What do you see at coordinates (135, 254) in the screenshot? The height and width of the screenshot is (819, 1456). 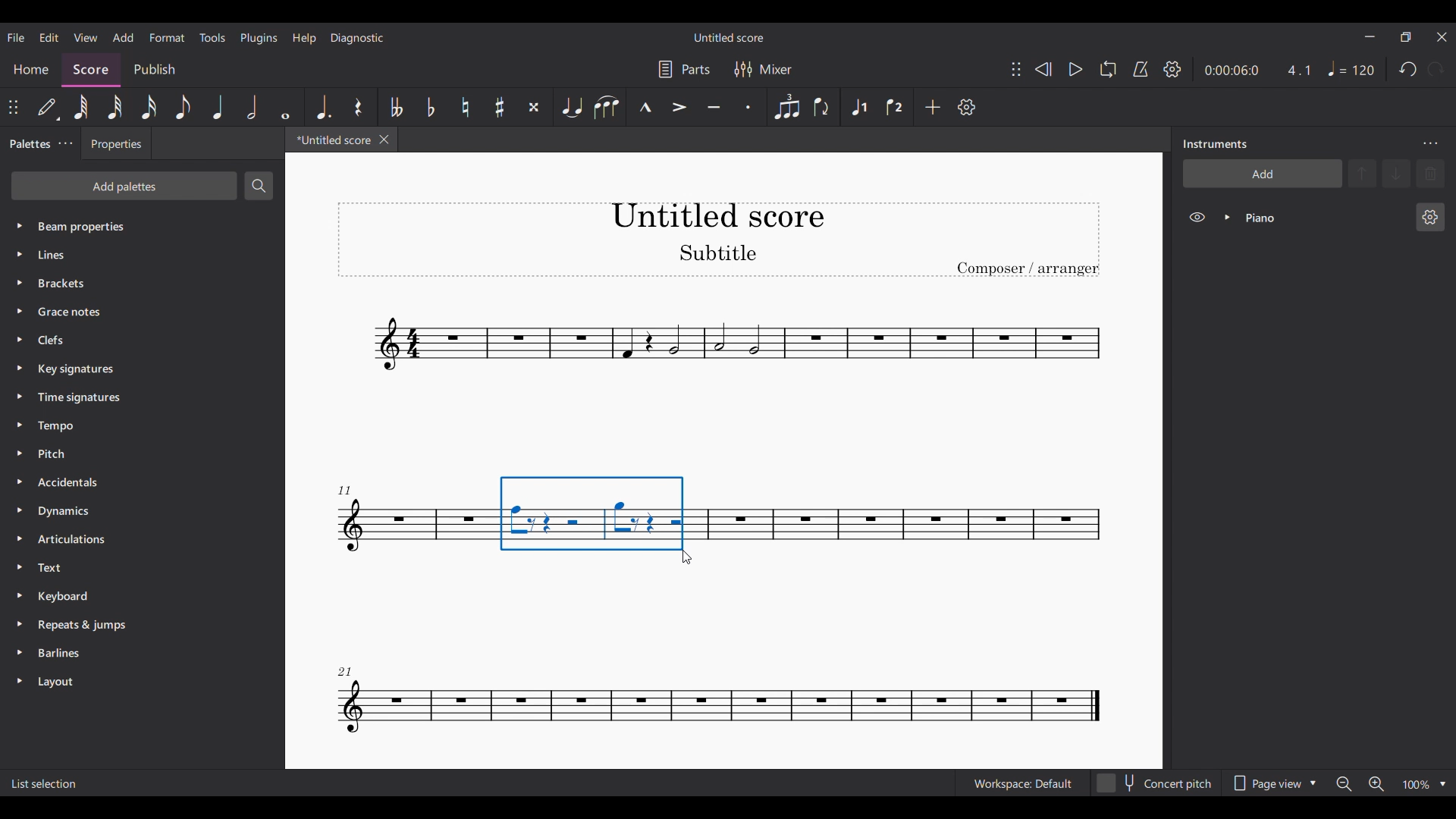 I see `Lines` at bounding box center [135, 254].